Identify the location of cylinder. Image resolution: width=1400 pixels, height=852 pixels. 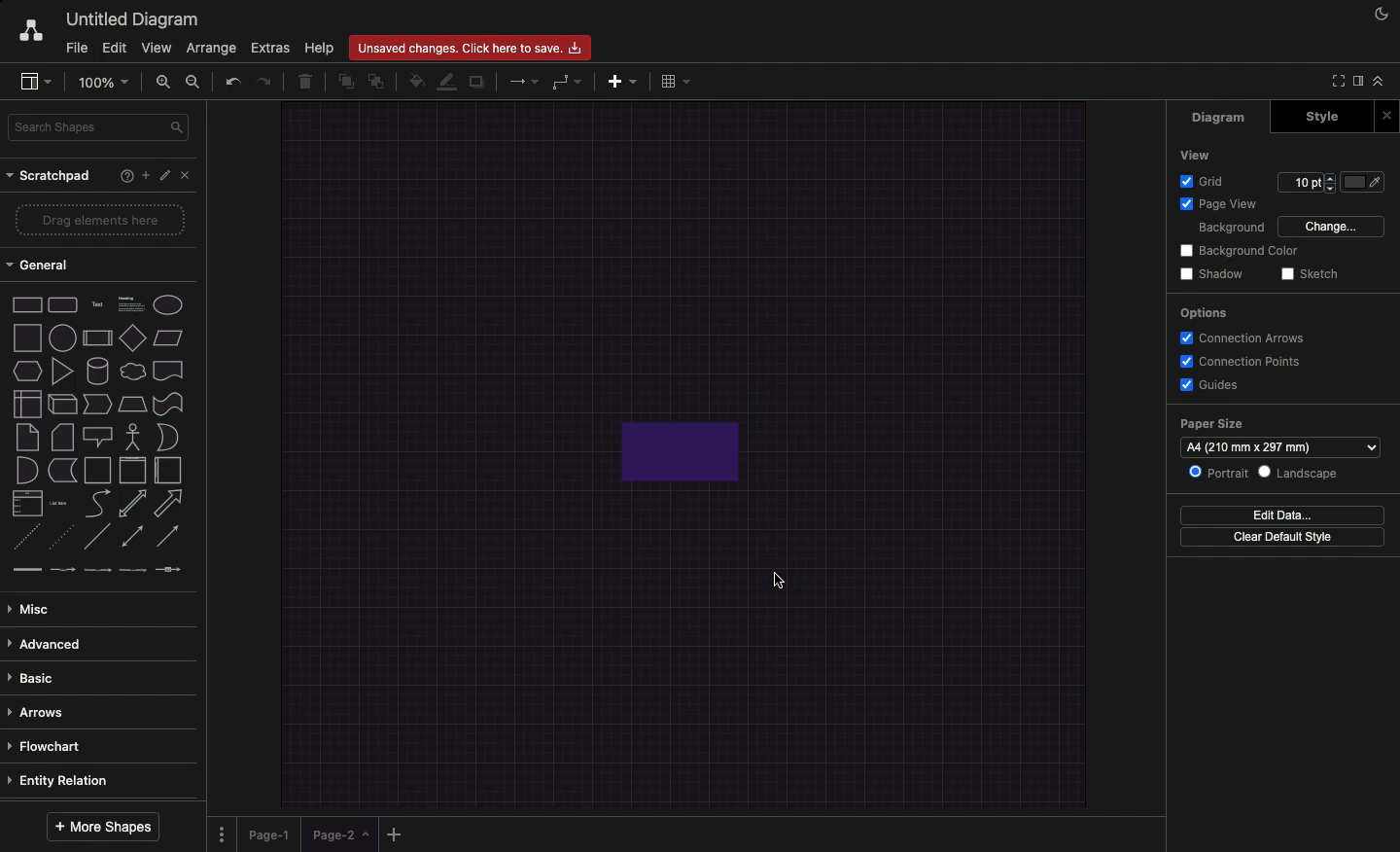
(97, 370).